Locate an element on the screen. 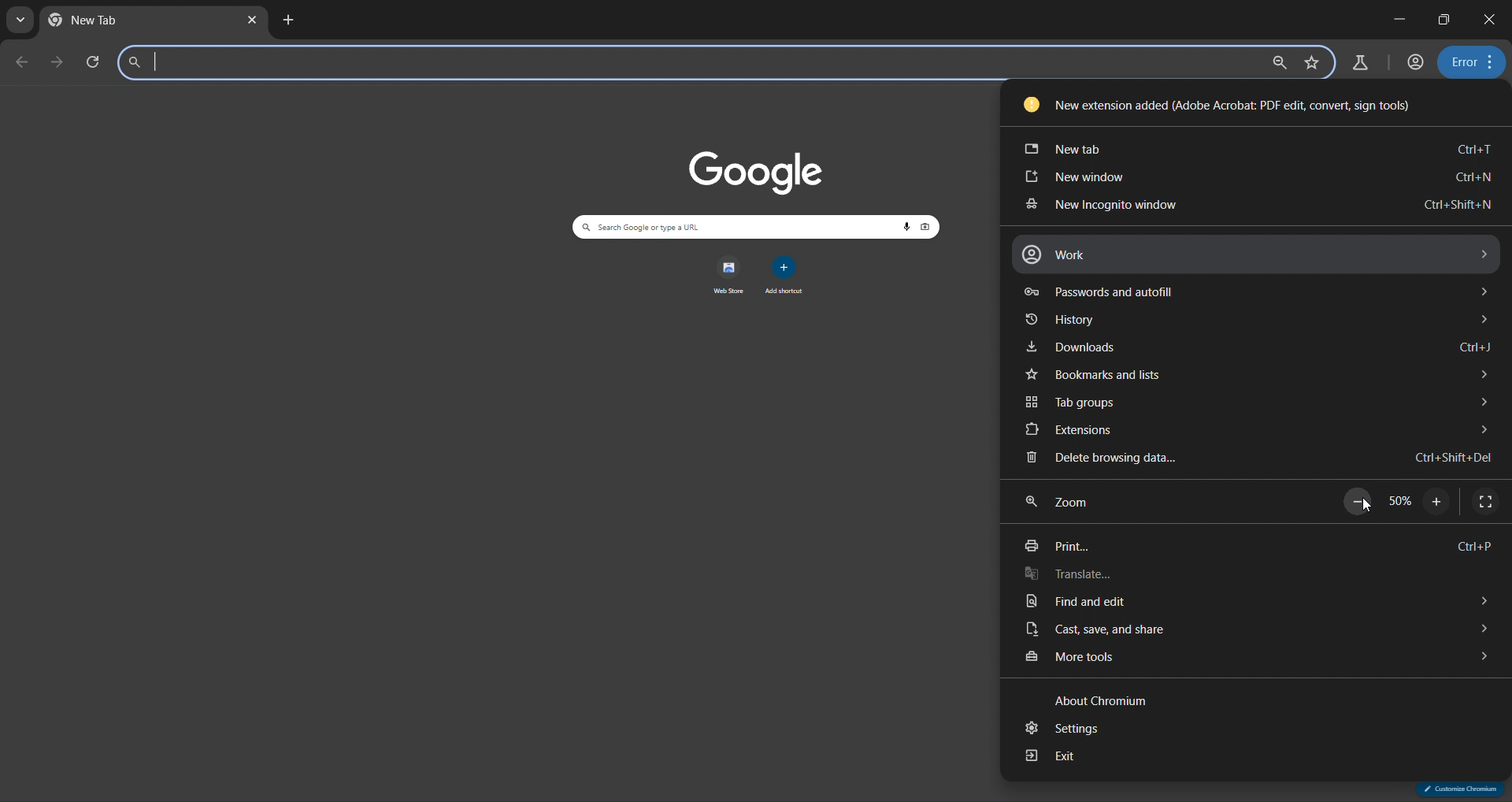 The image size is (1512, 802). voice search is located at coordinates (907, 228).